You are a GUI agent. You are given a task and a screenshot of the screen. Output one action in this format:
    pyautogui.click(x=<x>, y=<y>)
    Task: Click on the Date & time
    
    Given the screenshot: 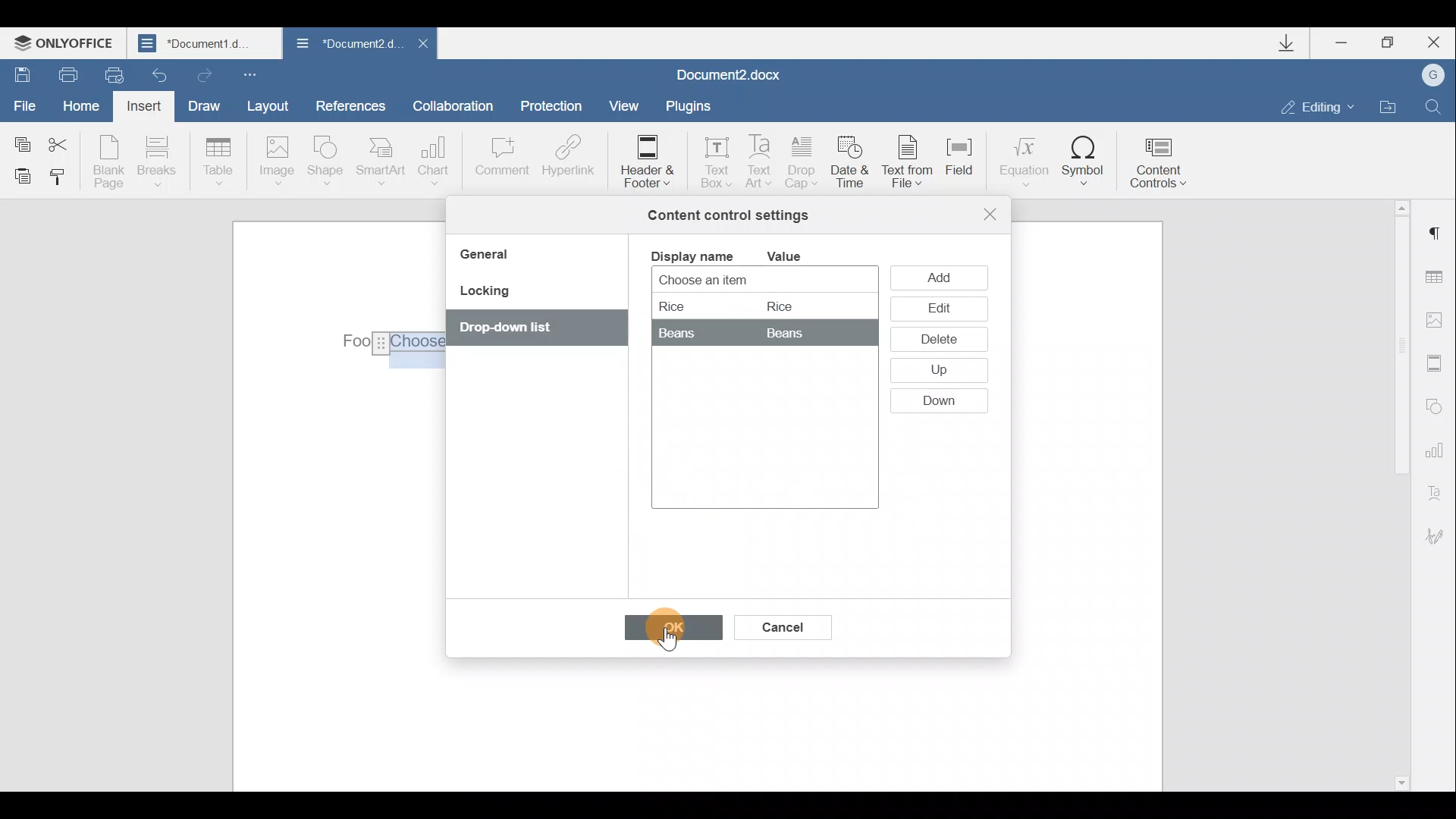 What is the action you would take?
    pyautogui.click(x=852, y=165)
    